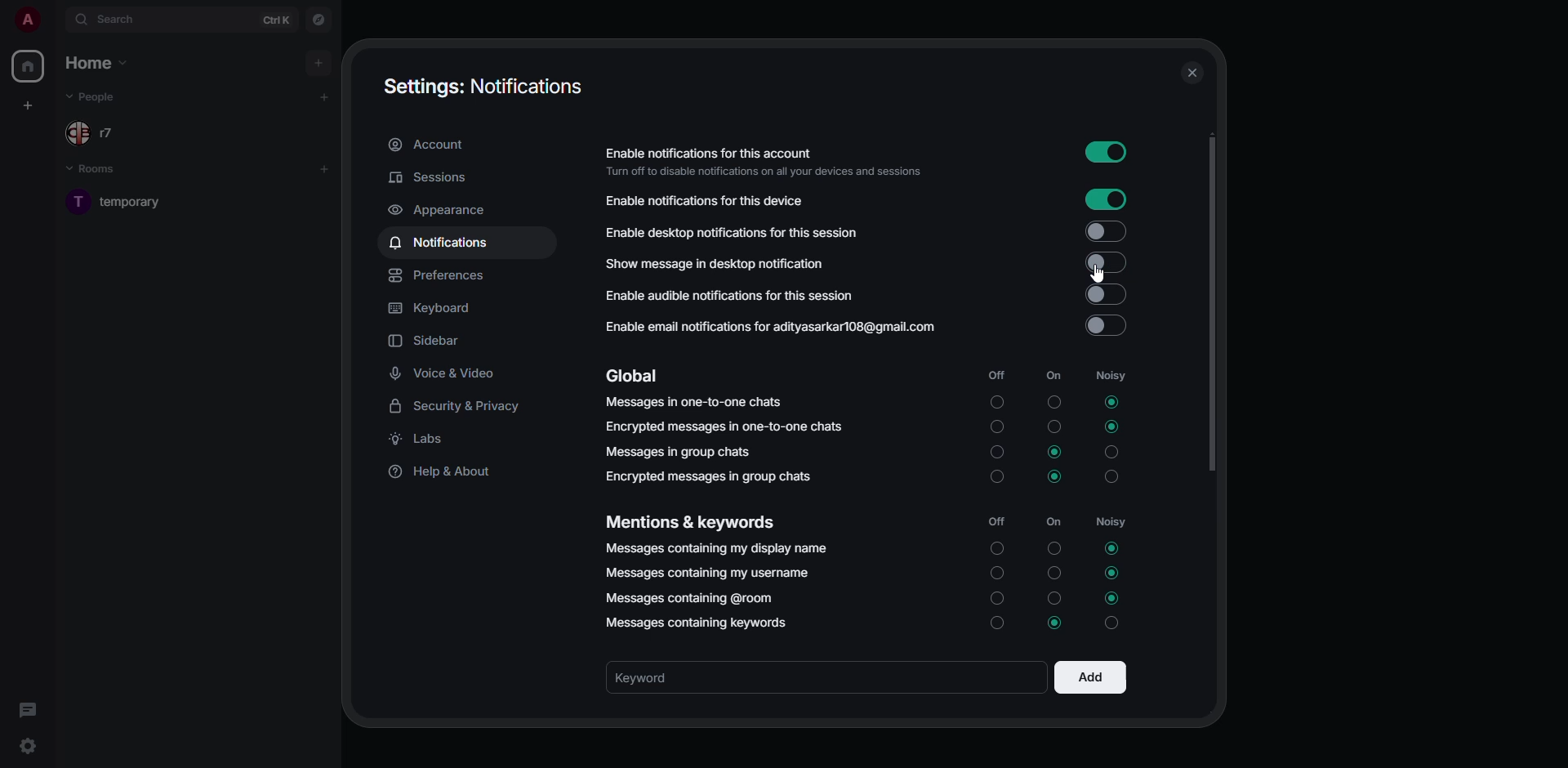 This screenshot has width=1568, height=768. Describe the element at coordinates (1106, 327) in the screenshot. I see `click to enable` at that location.